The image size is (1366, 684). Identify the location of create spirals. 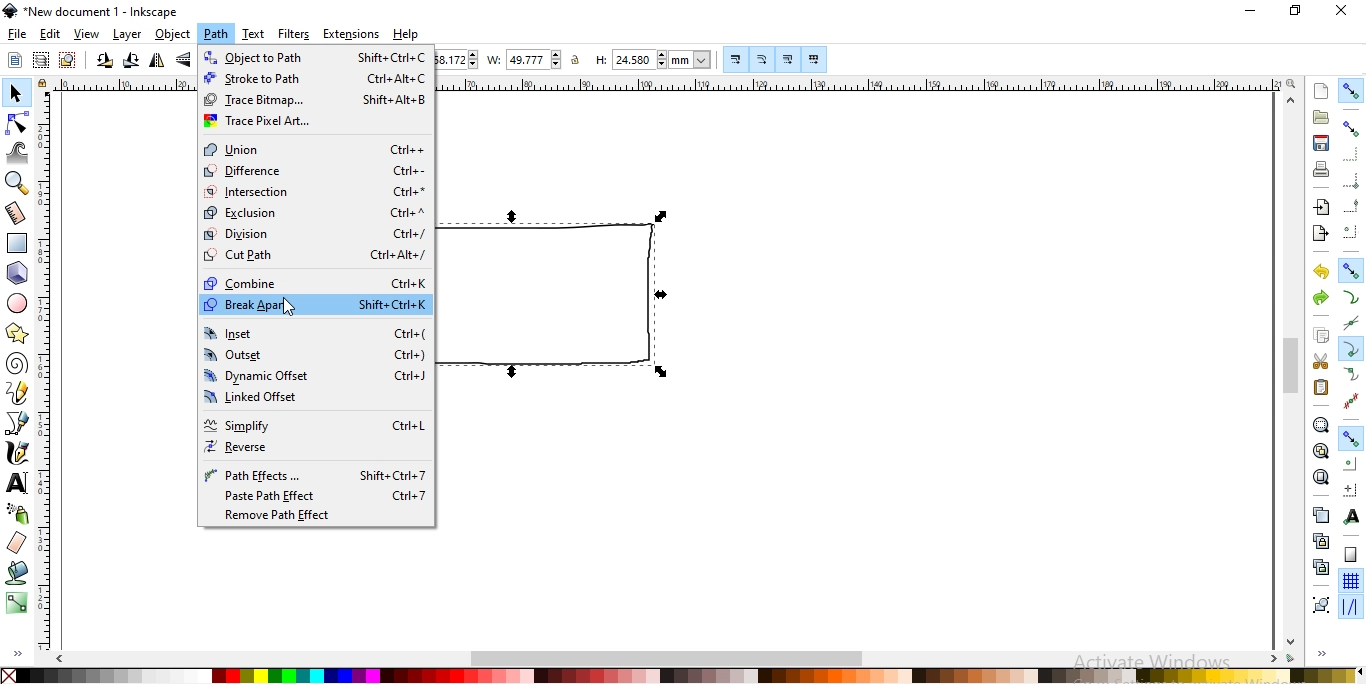
(18, 364).